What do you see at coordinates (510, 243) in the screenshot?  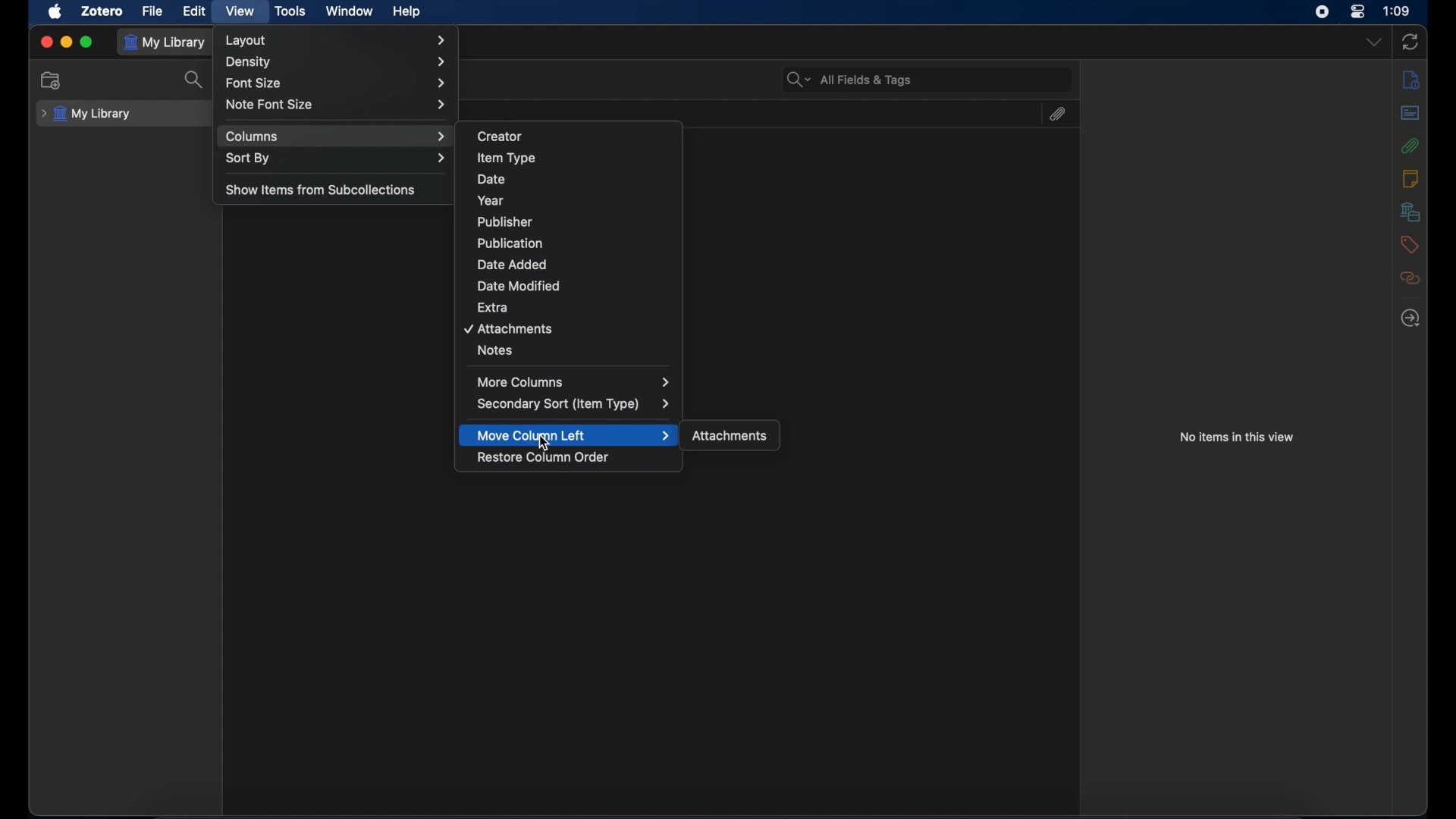 I see `publication` at bounding box center [510, 243].